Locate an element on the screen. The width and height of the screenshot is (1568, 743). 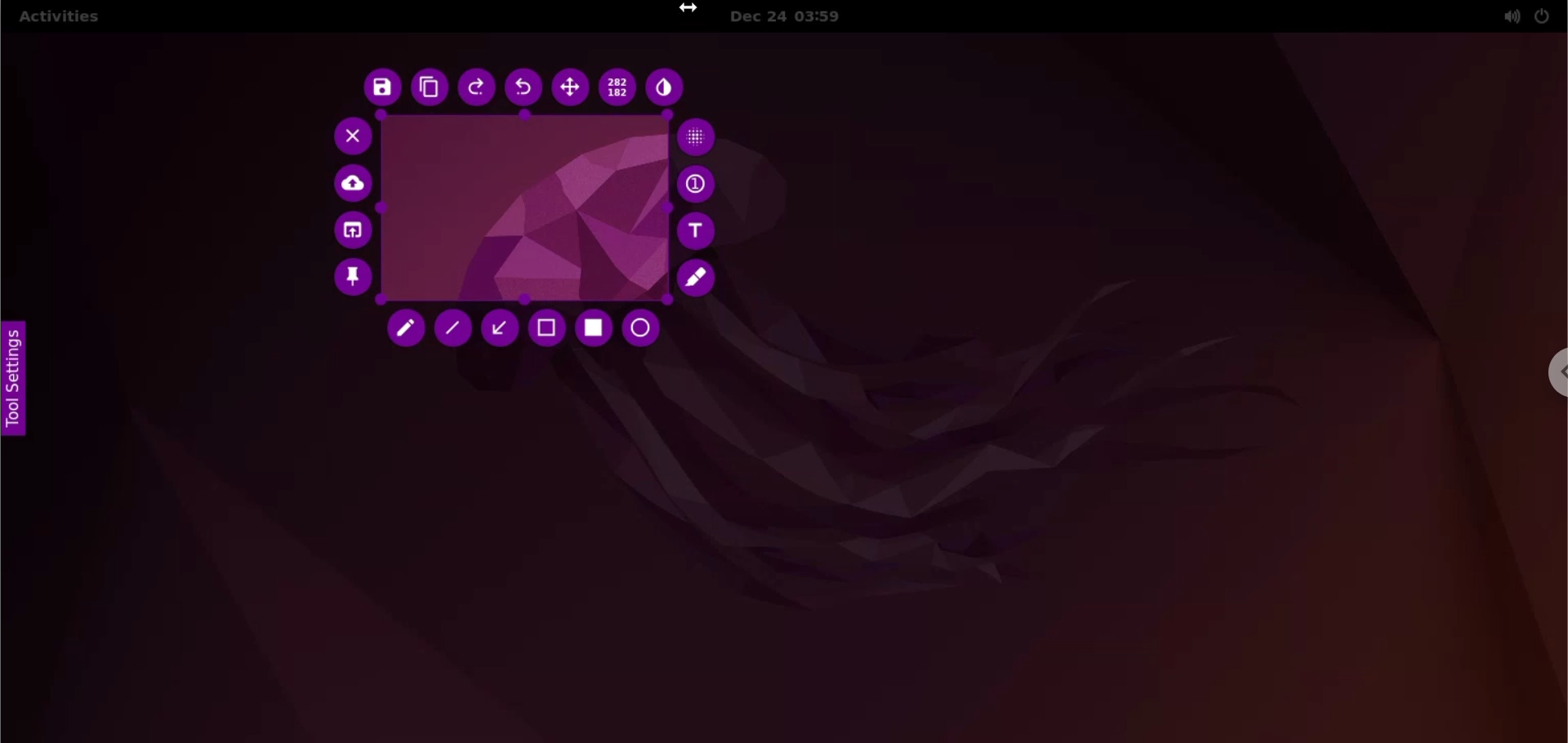
pin is located at coordinates (354, 284).